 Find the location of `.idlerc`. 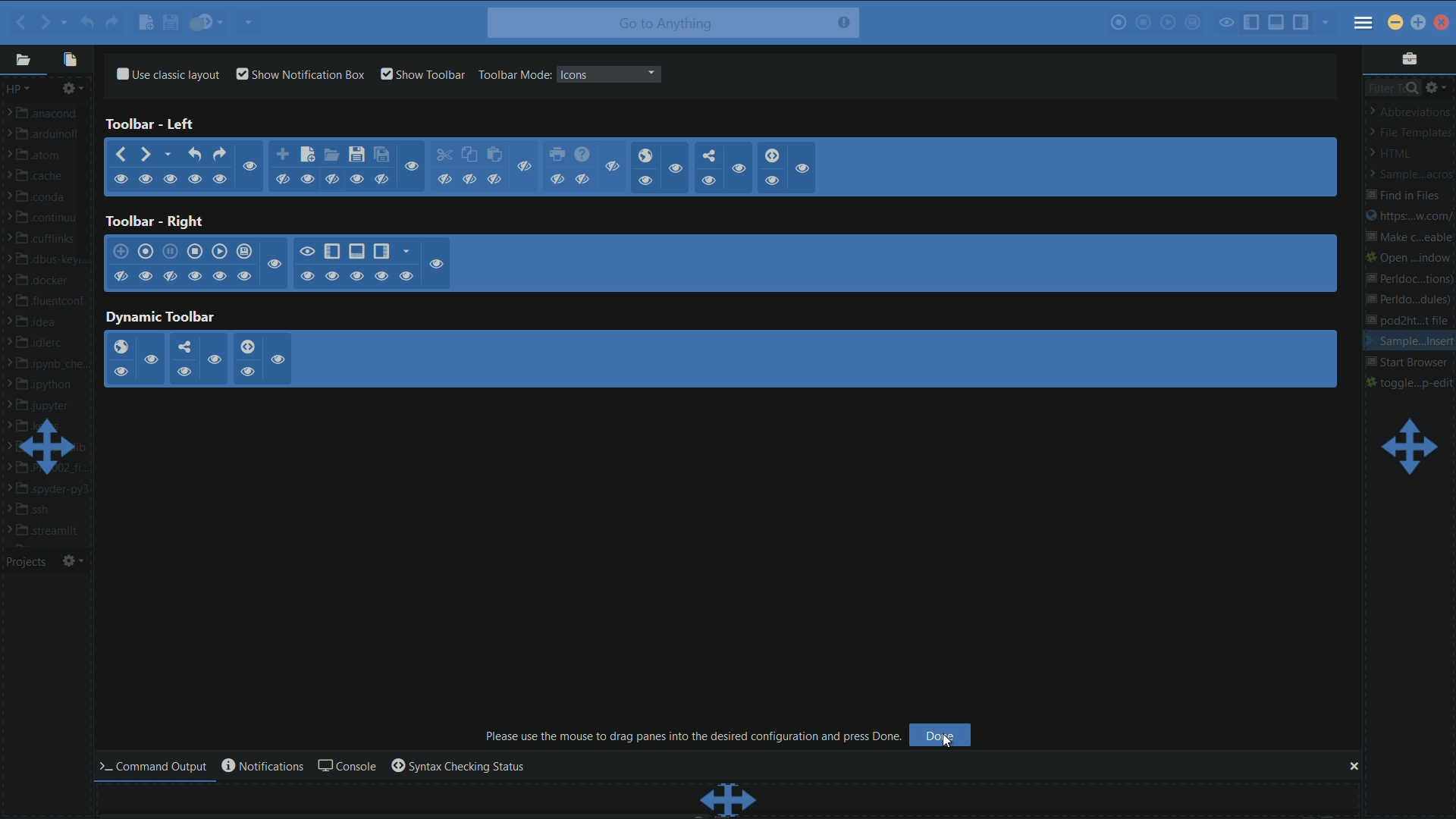

.idlerc is located at coordinates (48, 344).